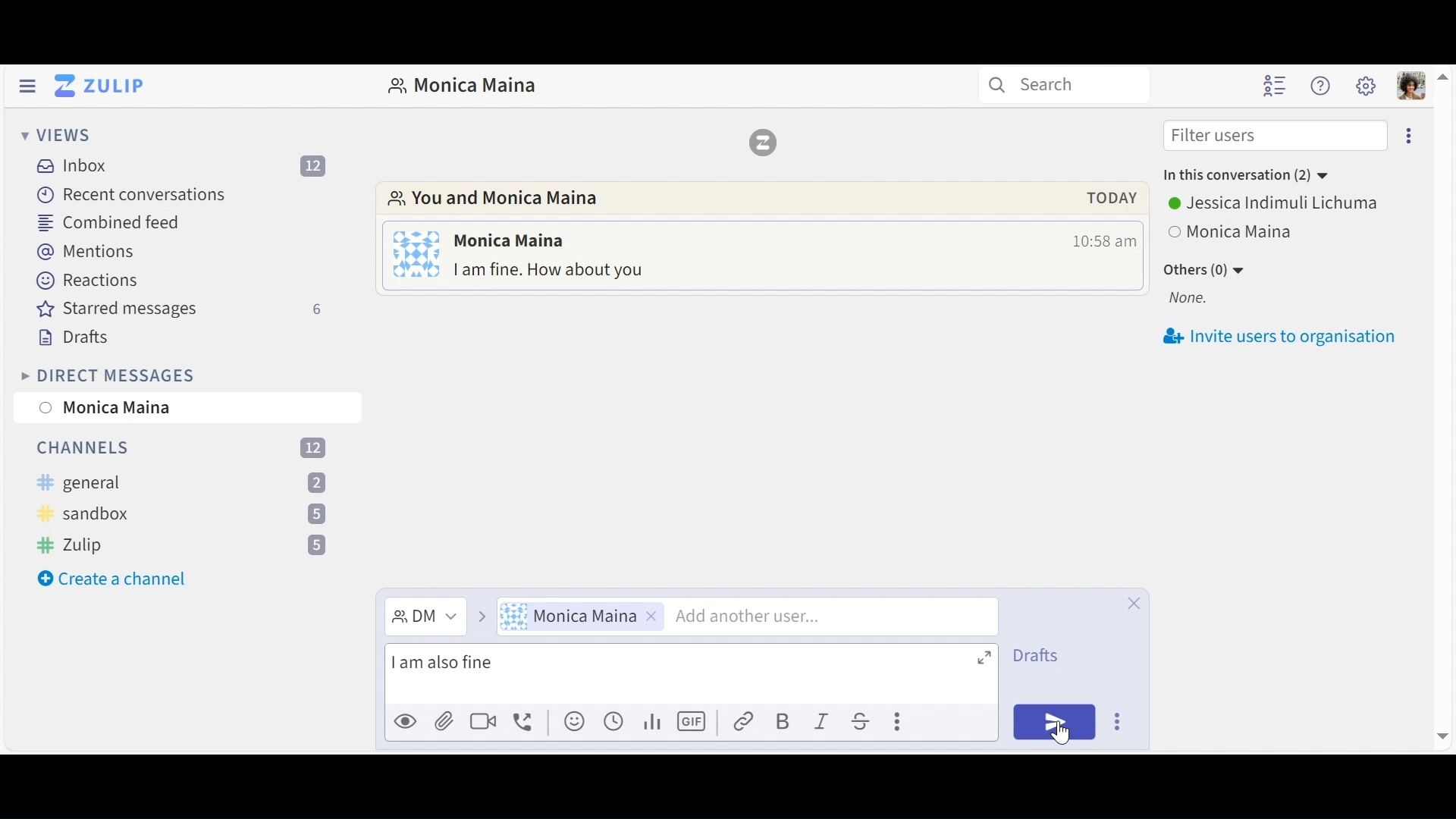 This screenshot has width=1456, height=819. What do you see at coordinates (181, 547) in the screenshot?
I see `Channel` at bounding box center [181, 547].